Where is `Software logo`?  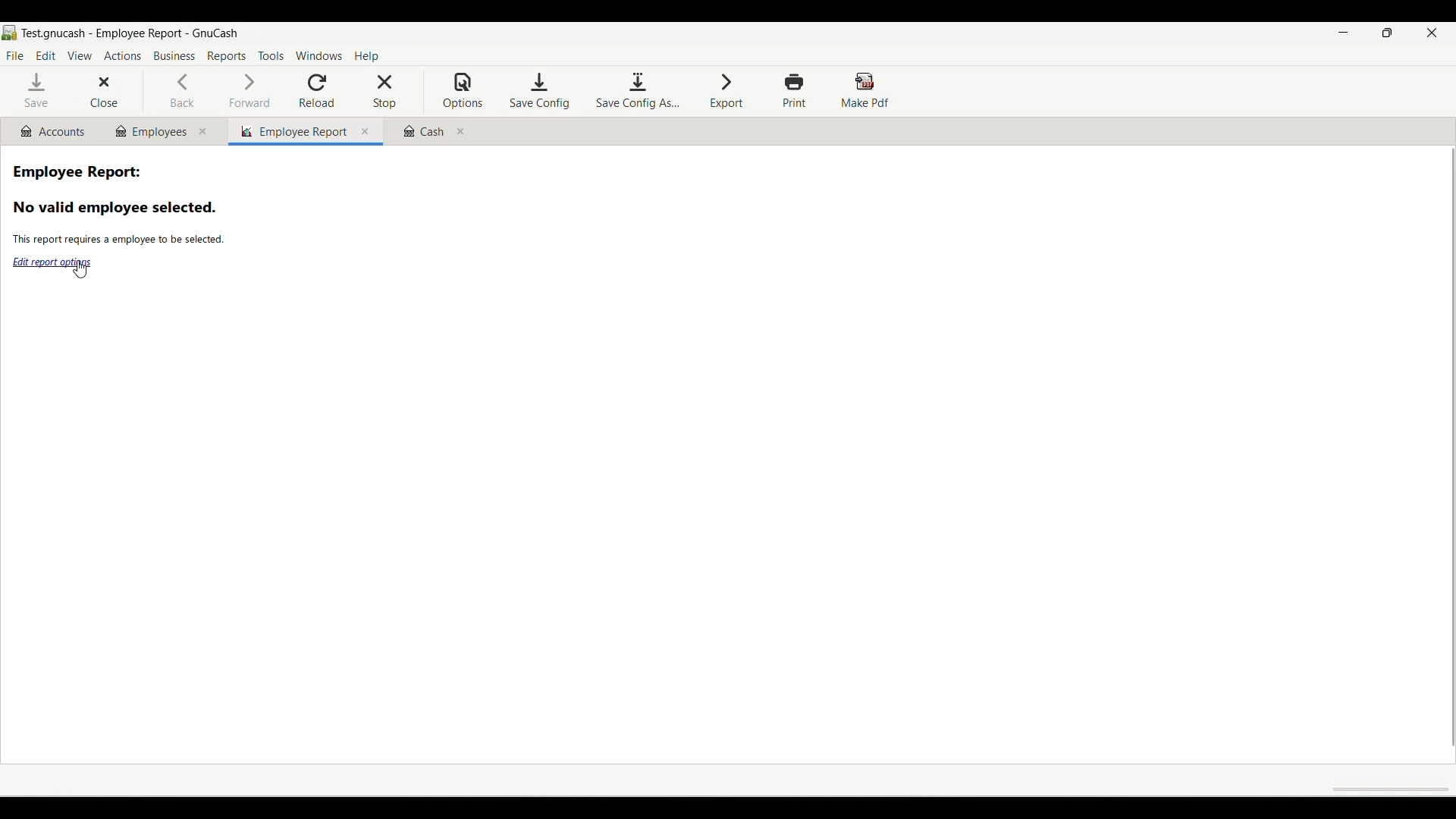
Software logo is located at coordinates (10, 33).